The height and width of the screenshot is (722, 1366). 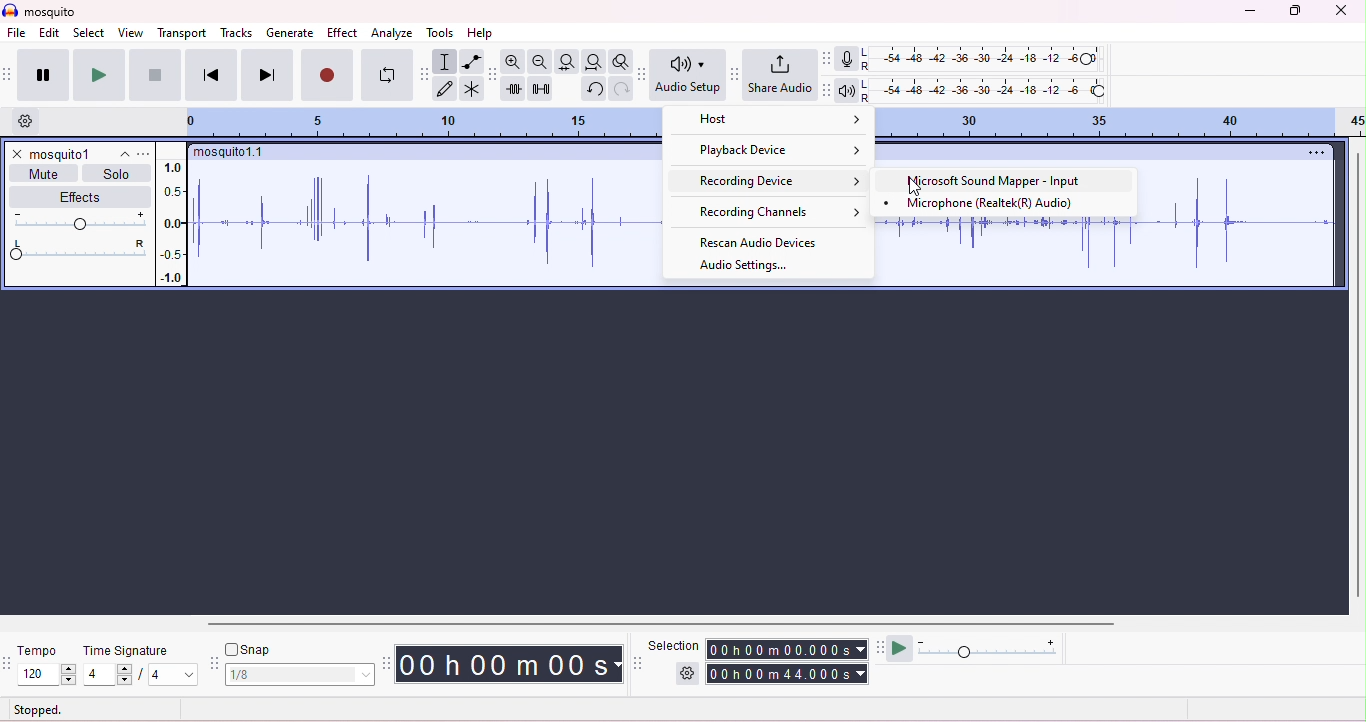 I want to click on close, so click(x=16, y=154).